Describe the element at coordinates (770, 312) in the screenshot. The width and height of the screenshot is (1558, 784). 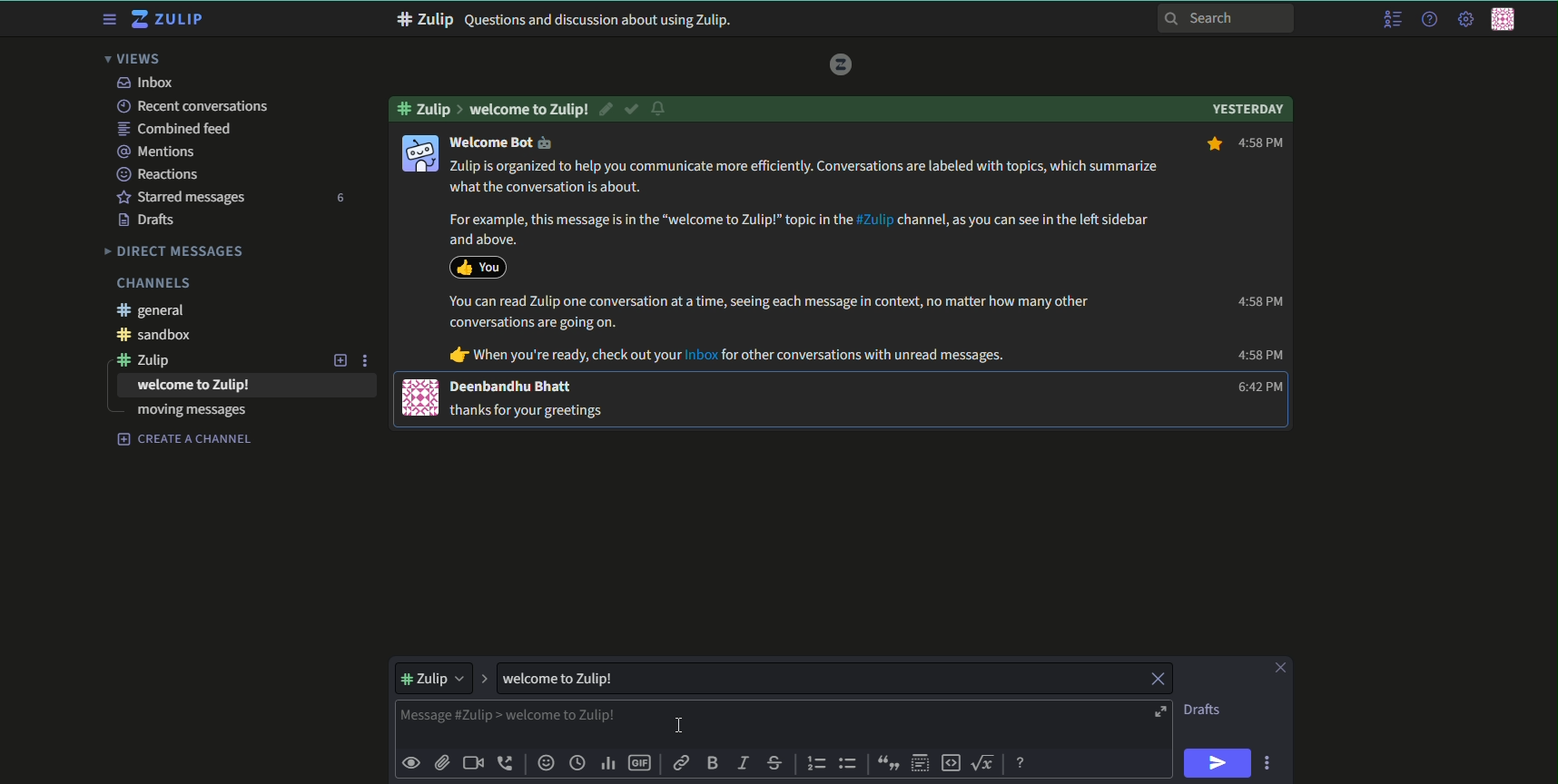
I see `You can read Zulip one conversation at a time, seeing each message in context, no matter how many other
conversations are going on.` at that location.